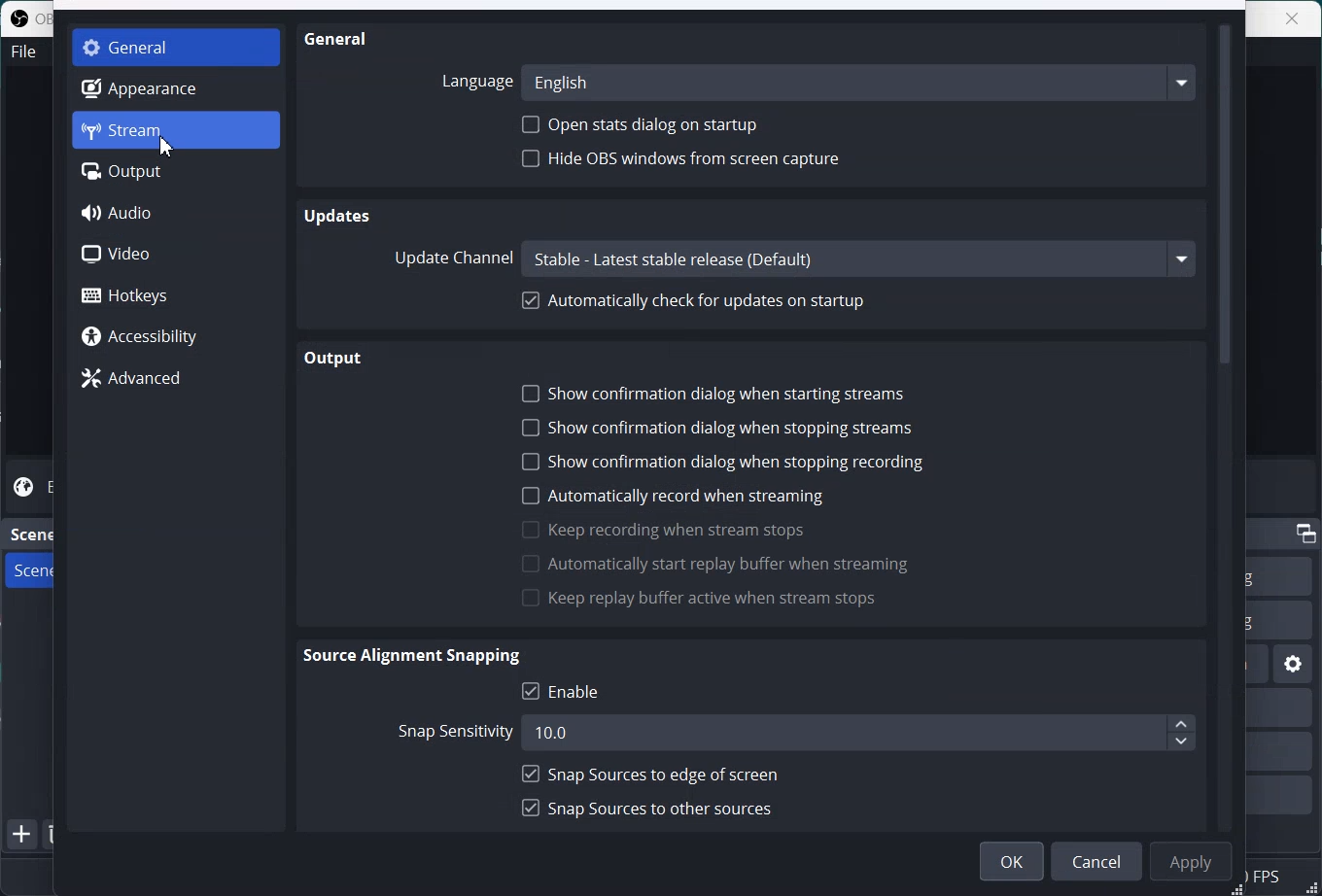 The height and width of the screenshot is (896, 1322). Describe the element at coordinates (175, 379) in the screenshot. I see `Advanced` at that location.